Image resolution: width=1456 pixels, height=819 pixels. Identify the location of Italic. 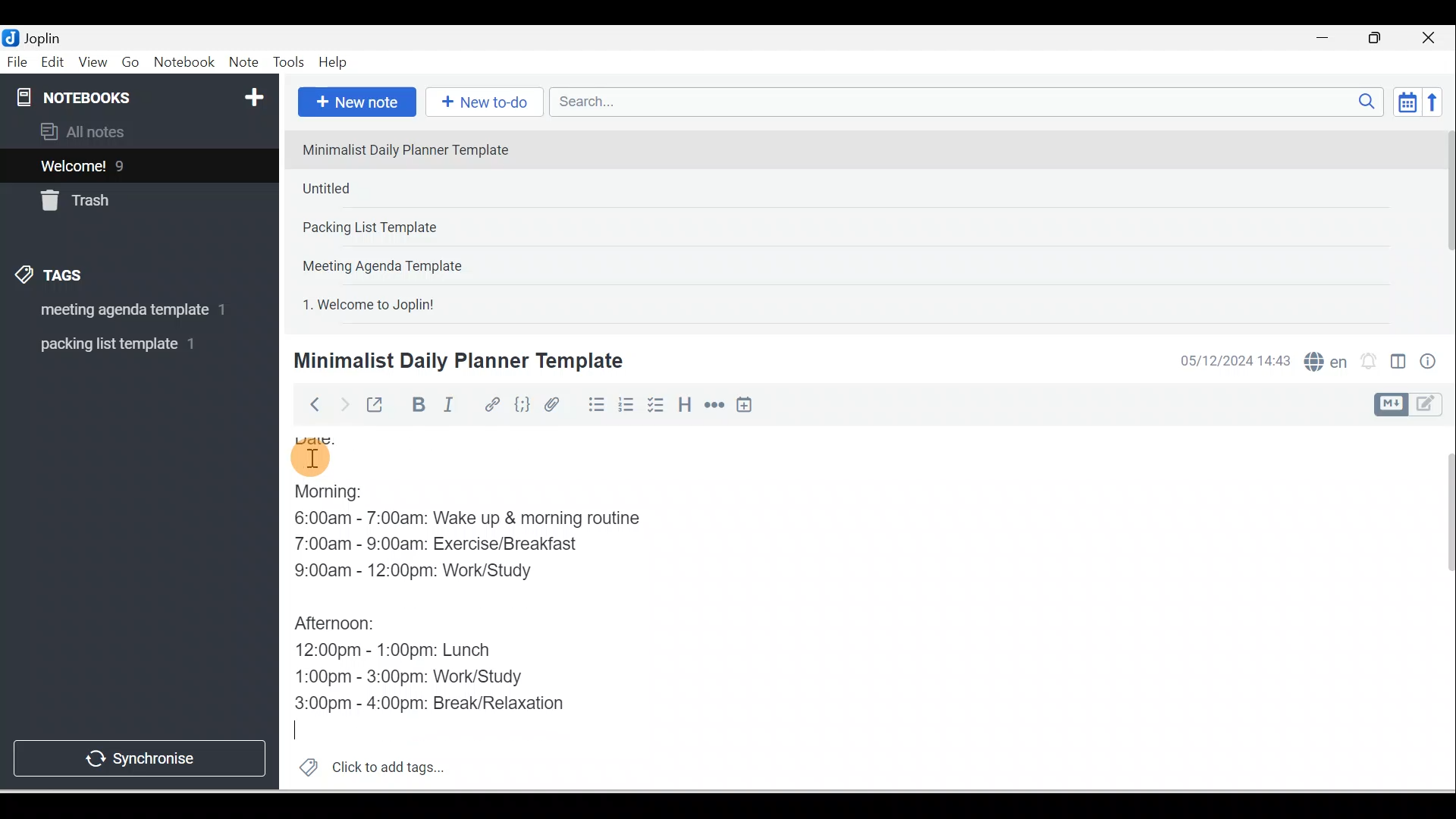
(451, 407).